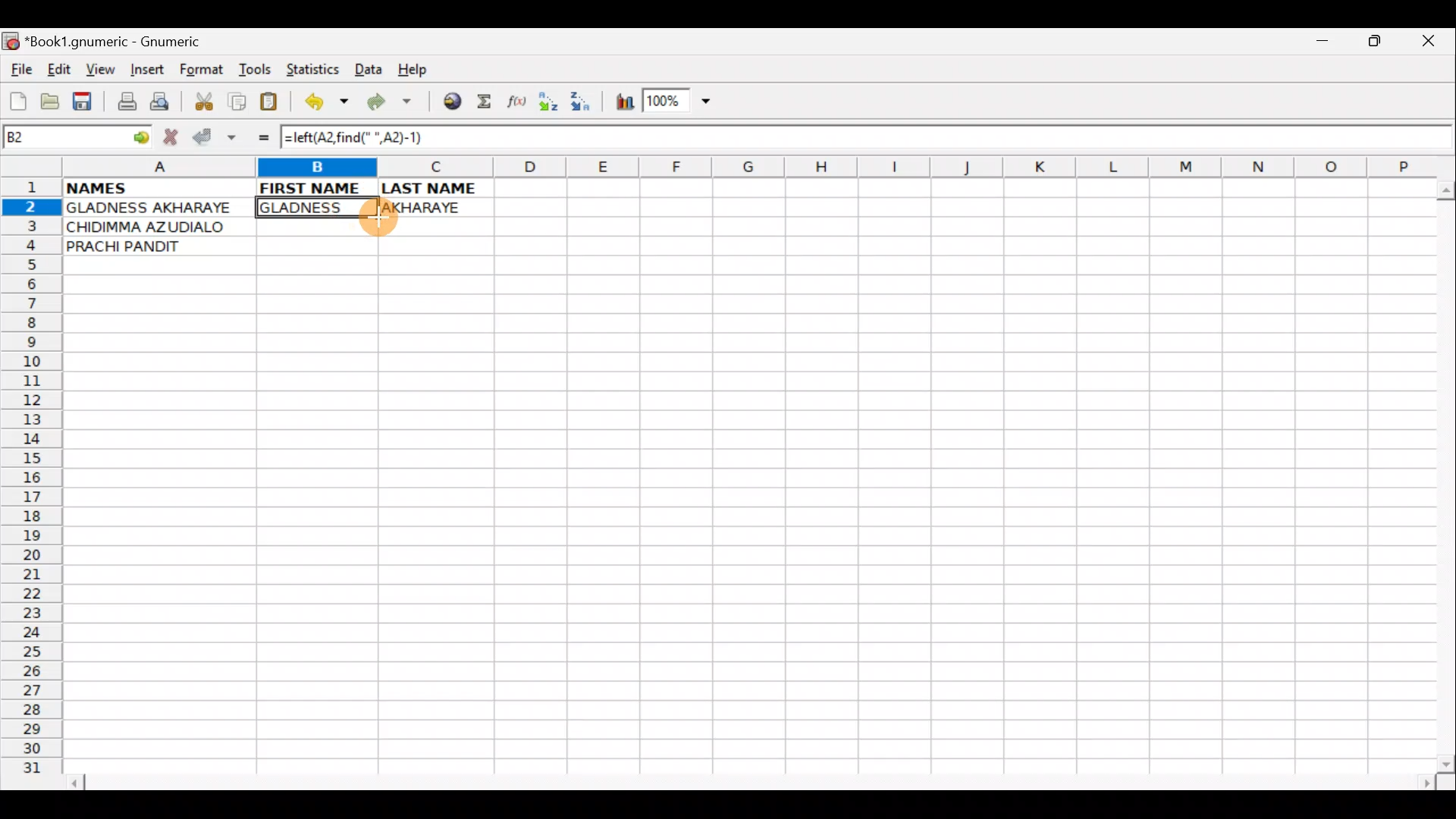  I want to click on GLADNESS AKHARAYE, so click(158, 209).